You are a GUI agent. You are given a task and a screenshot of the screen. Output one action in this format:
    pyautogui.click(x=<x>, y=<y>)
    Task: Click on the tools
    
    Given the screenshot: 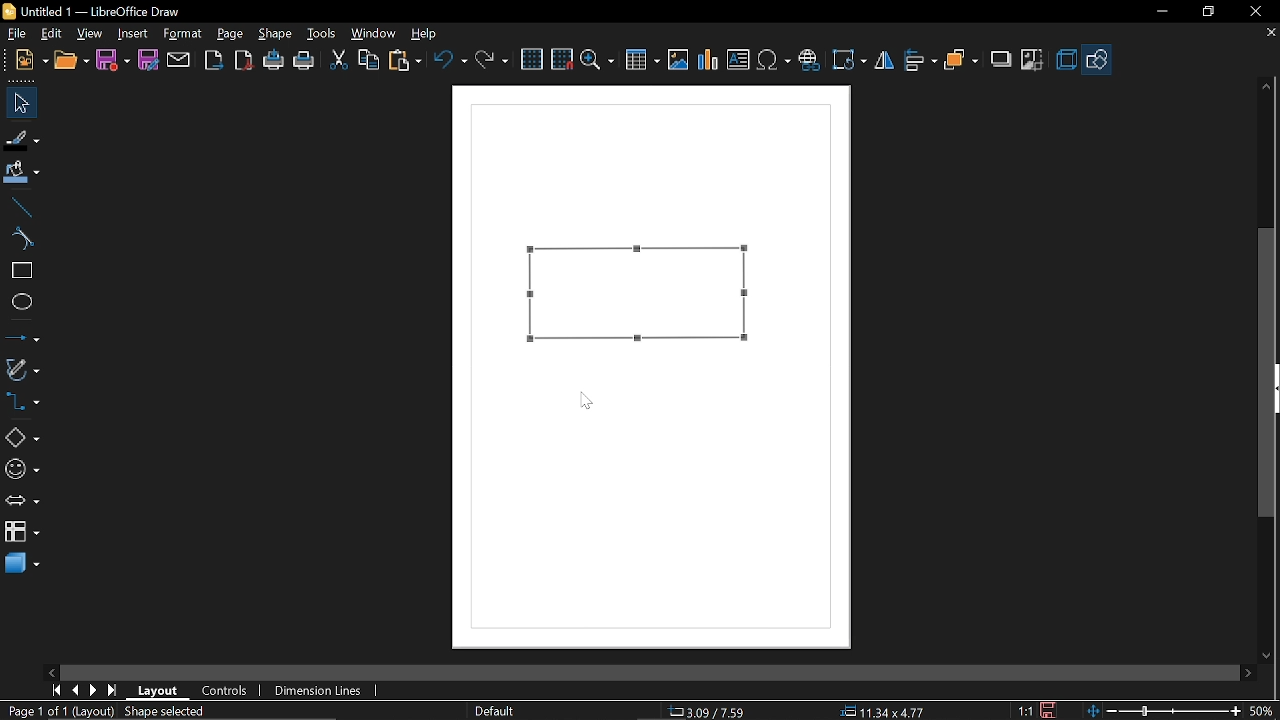 What is the action you would take?
    pyautogui.click(x=323, y=34)
    